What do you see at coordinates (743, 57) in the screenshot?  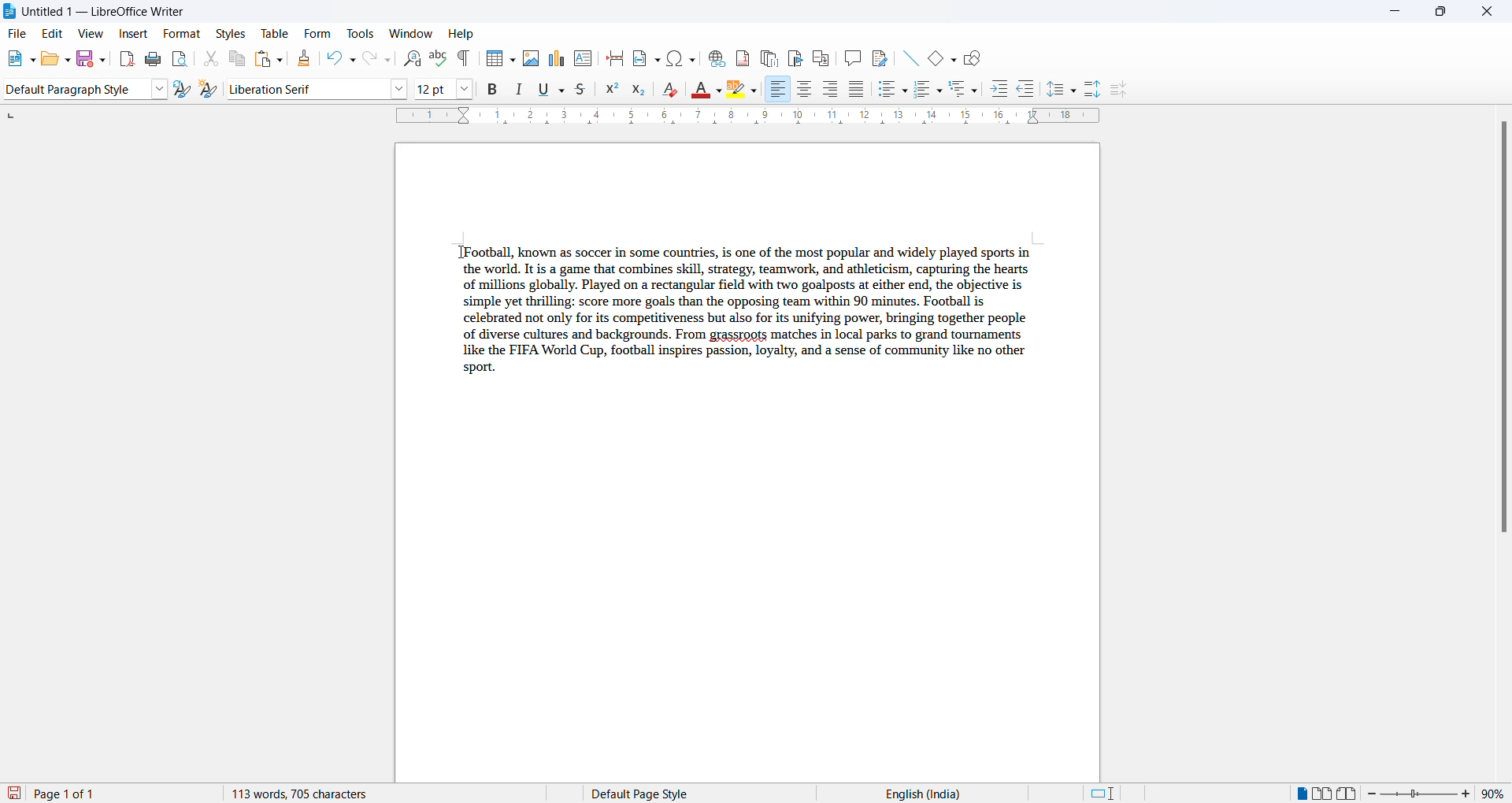 I see `insert footnote` at bounding box center [743, 57].